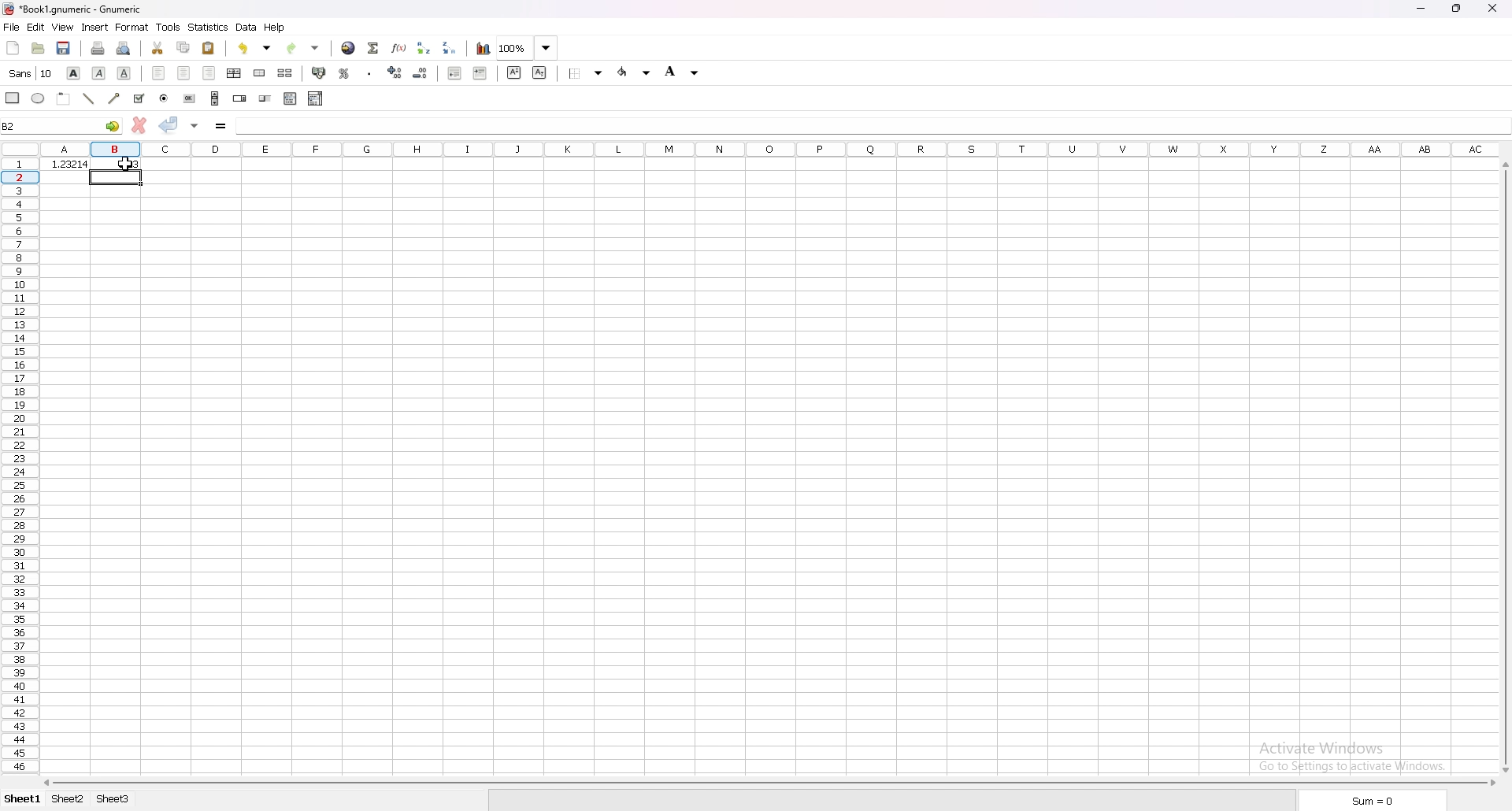  Describe the element at coordinates (195, 125) in the screenshot. I see `accept changes in all cells` at that location.